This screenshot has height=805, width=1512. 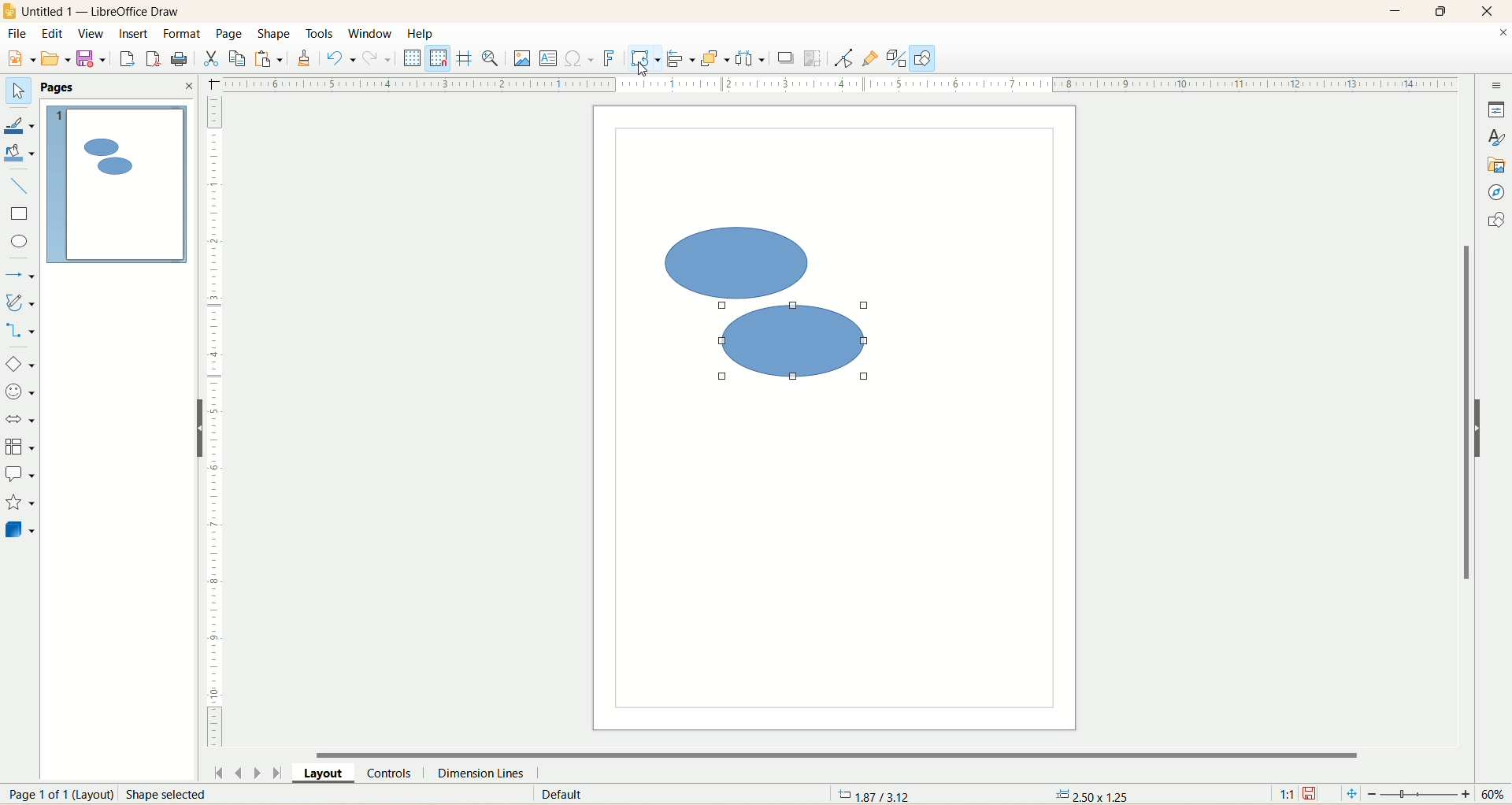 I want to click on controls, so click(x=393, y=773).